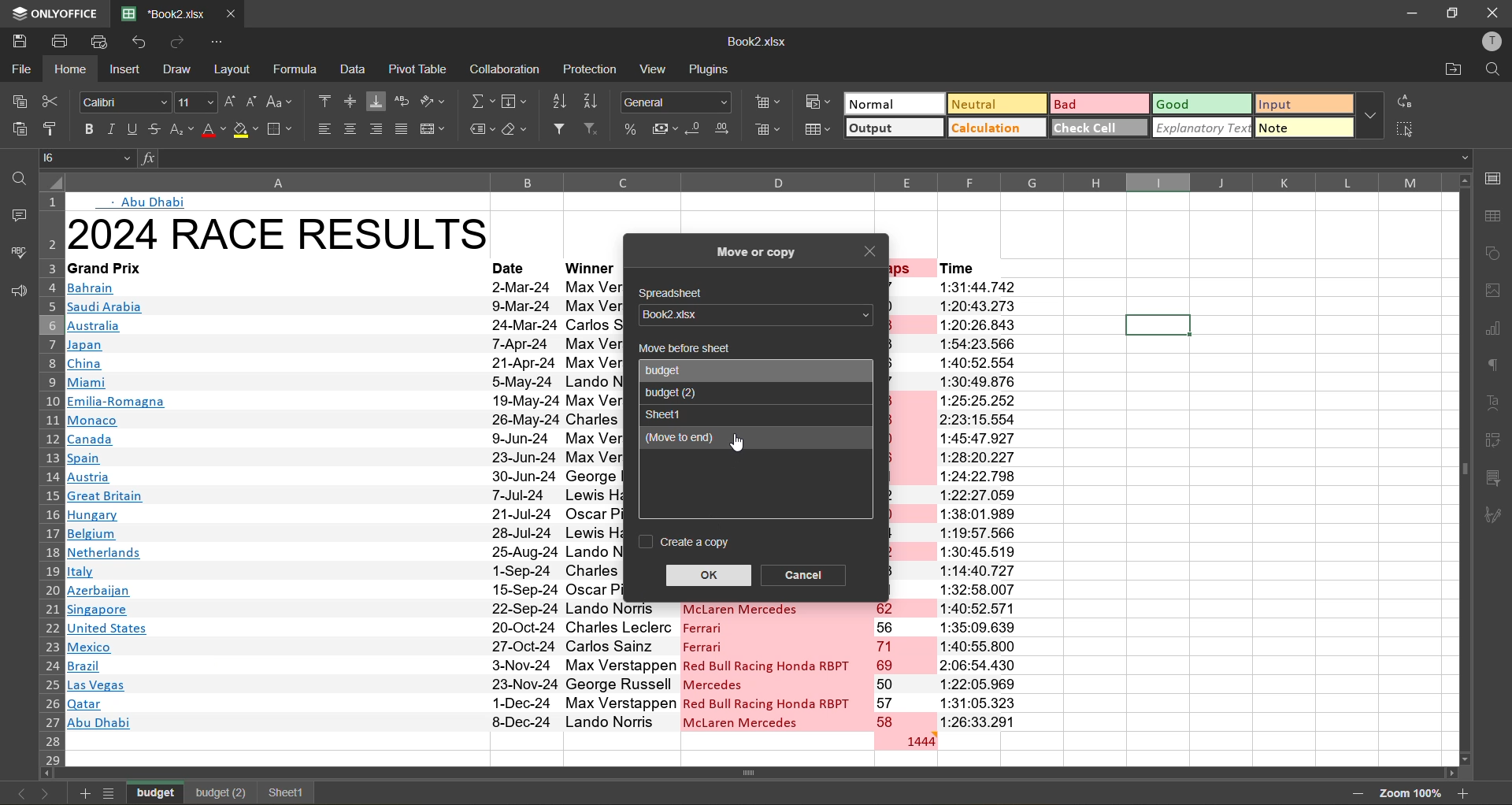 The image size is (1512, 805). Describe the element at coordinates (1492, 70) in the screenshot. I see `find` at that location.